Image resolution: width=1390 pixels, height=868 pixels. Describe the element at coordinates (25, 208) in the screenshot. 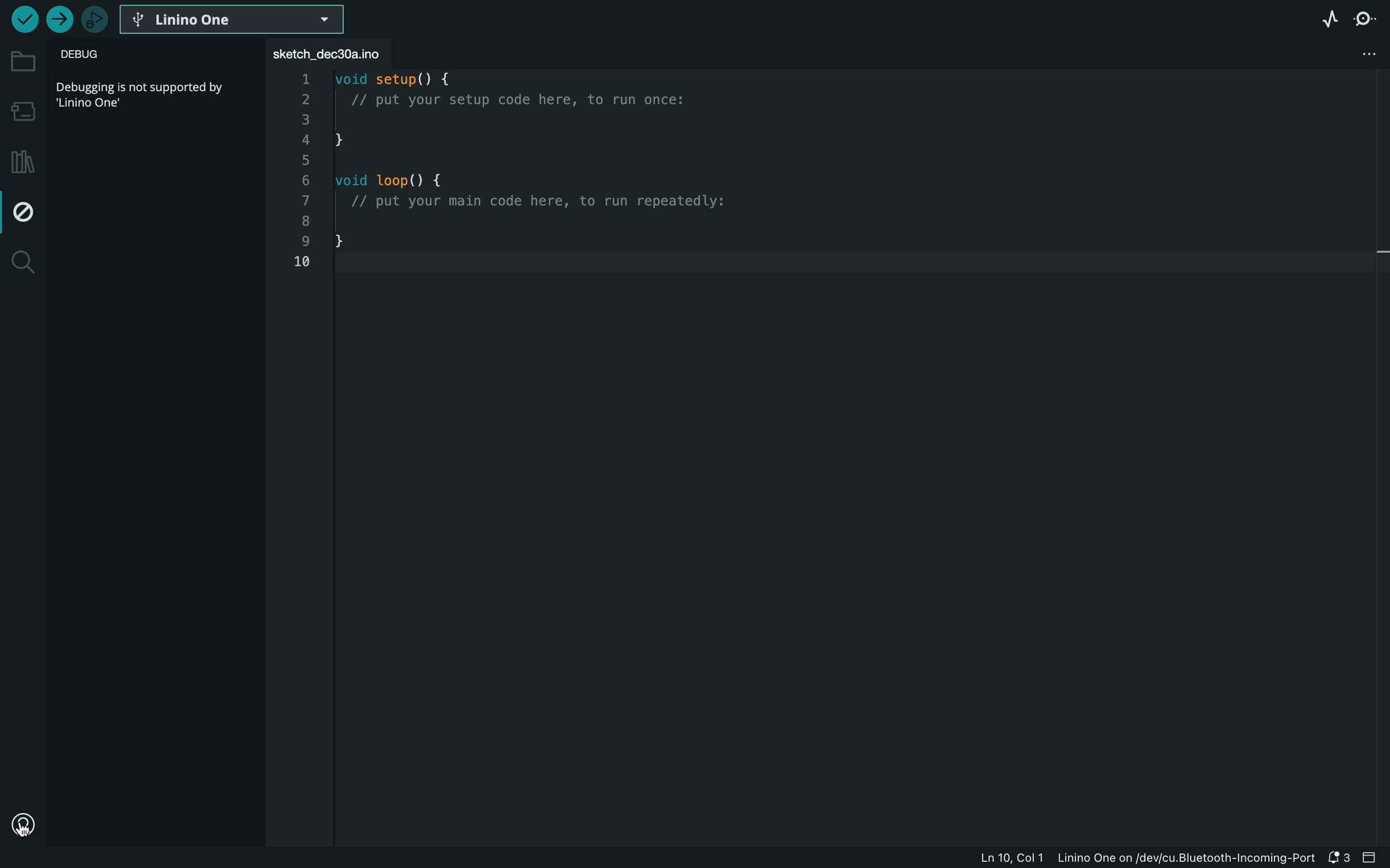

I see `debug` at that location.